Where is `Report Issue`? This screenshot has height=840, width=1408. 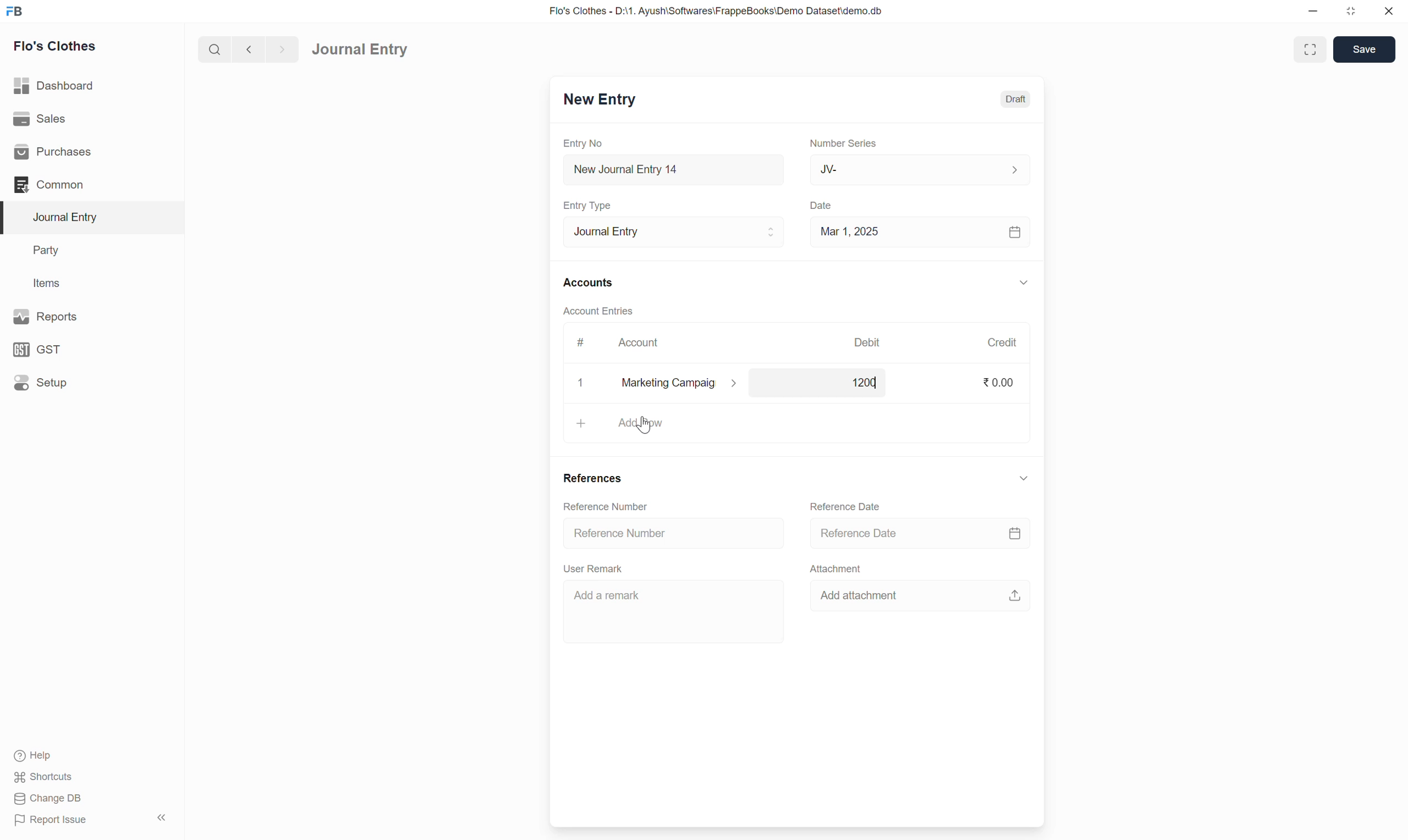
Report Issue is located at coordinates (55, 821).